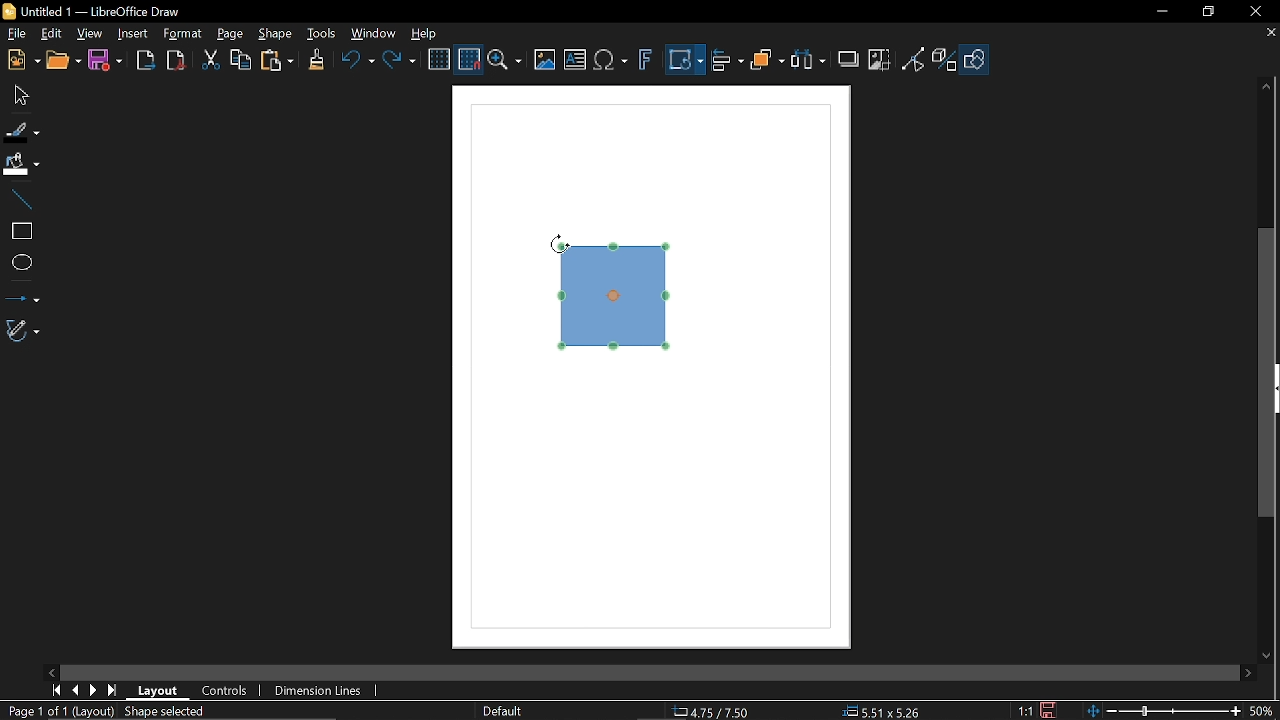  Describe the element at coordinates (22, 296) in the screenshot. I see `Lines and arrows` at that location.